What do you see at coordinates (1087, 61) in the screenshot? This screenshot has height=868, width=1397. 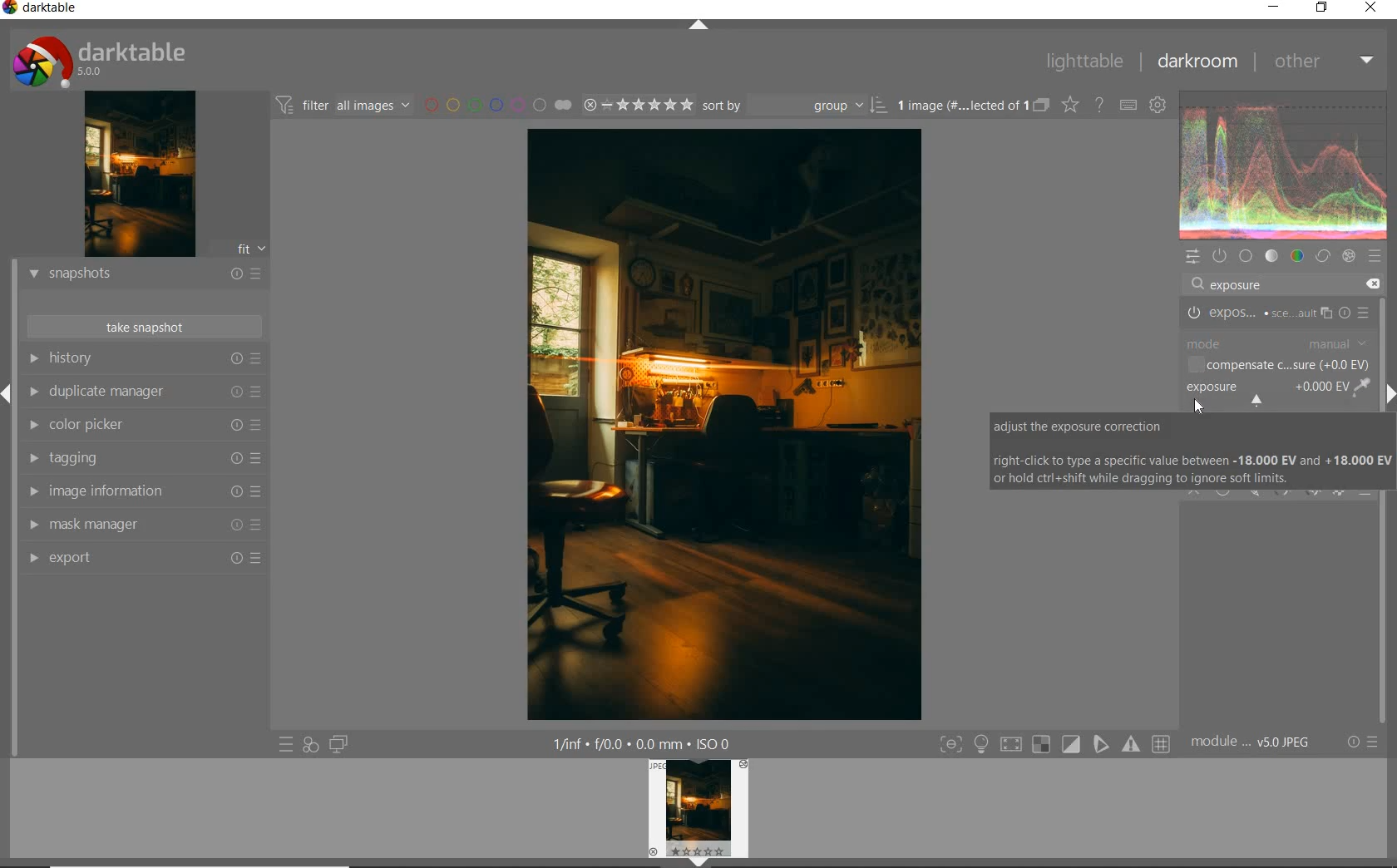 I see `lighttable` at bounding box center [1087, 61].